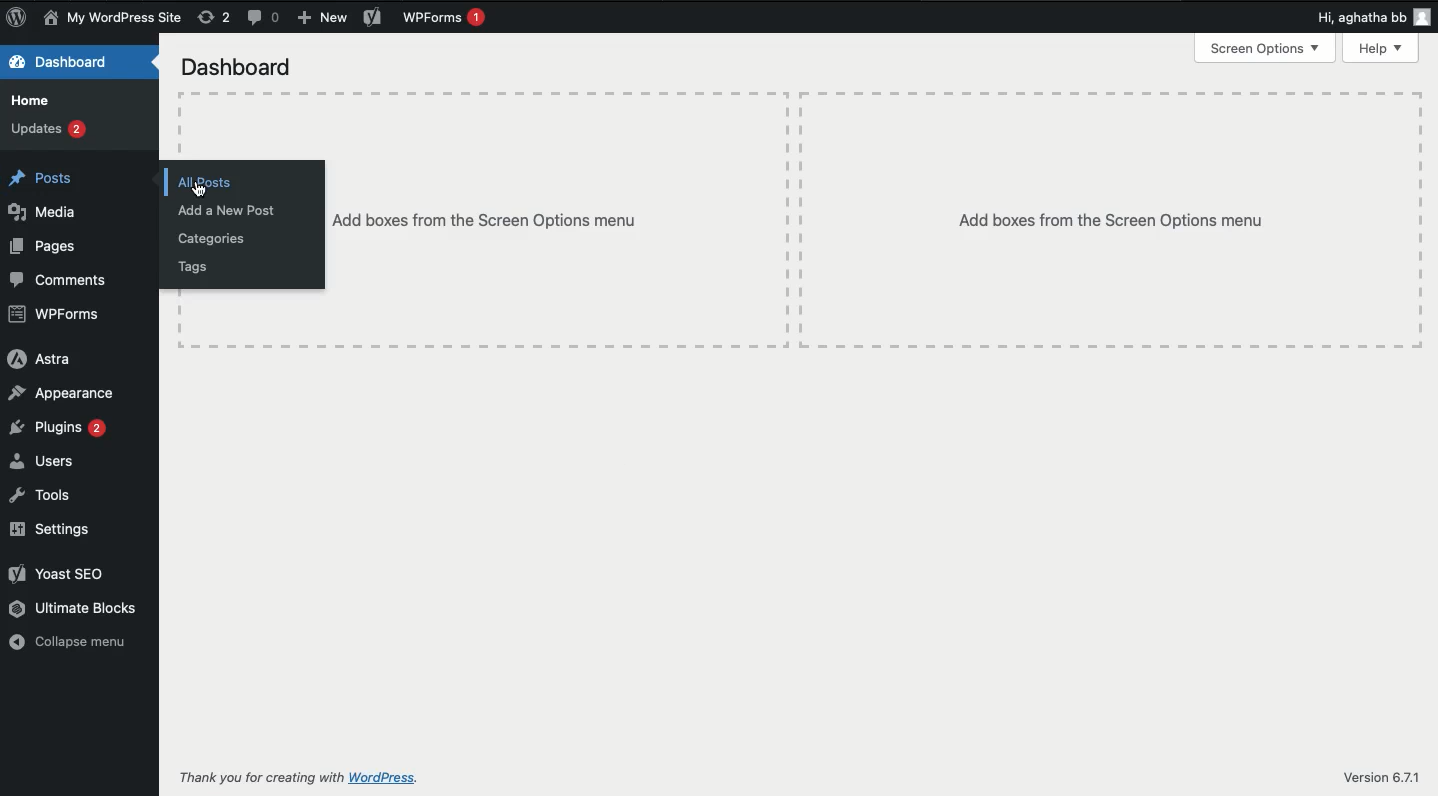  Describe the element at coordinates (1380, 776) in the screenshot. I see `Version 6.7.1` at that location.